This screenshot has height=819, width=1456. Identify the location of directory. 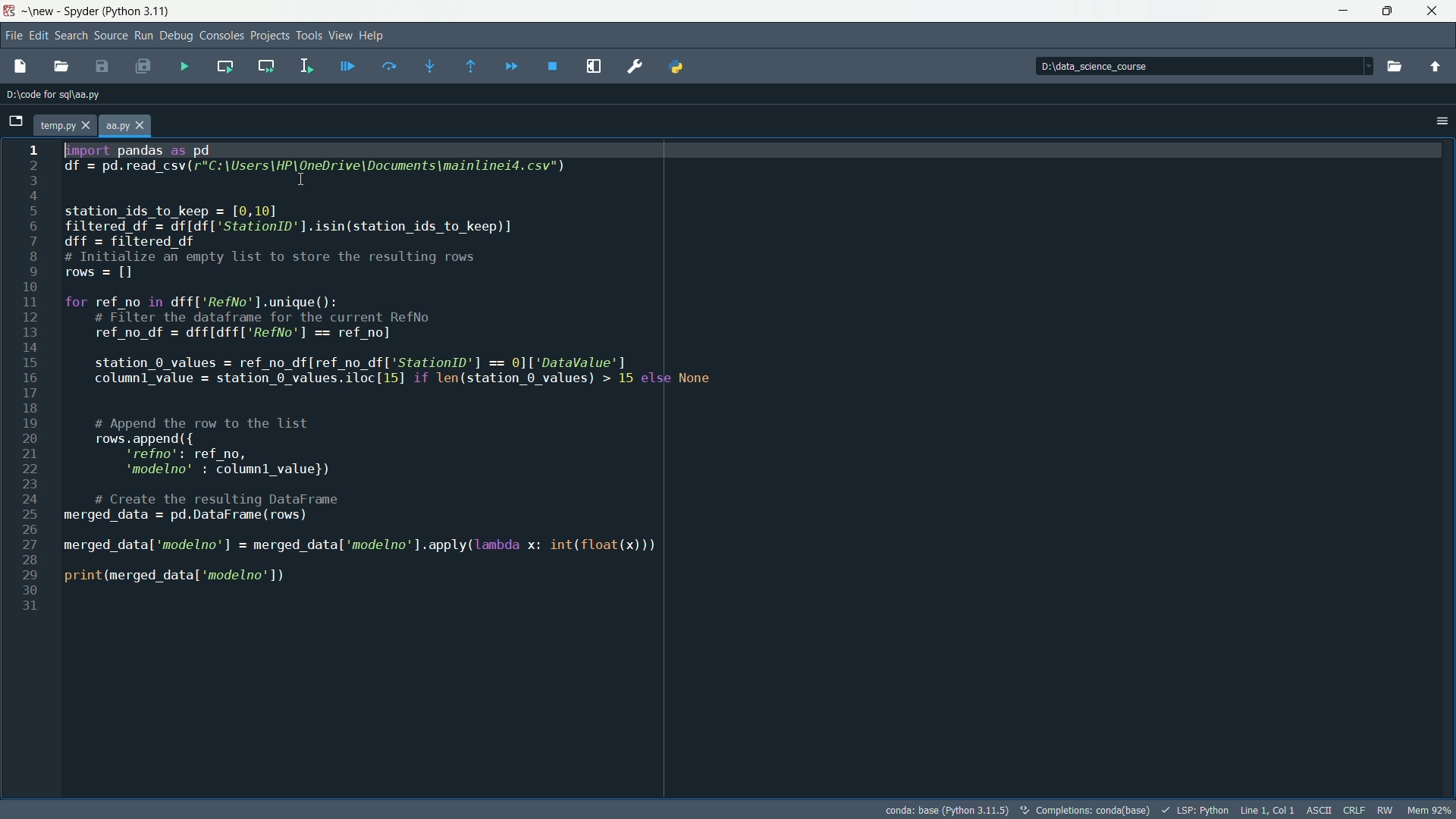
(1197, 64).